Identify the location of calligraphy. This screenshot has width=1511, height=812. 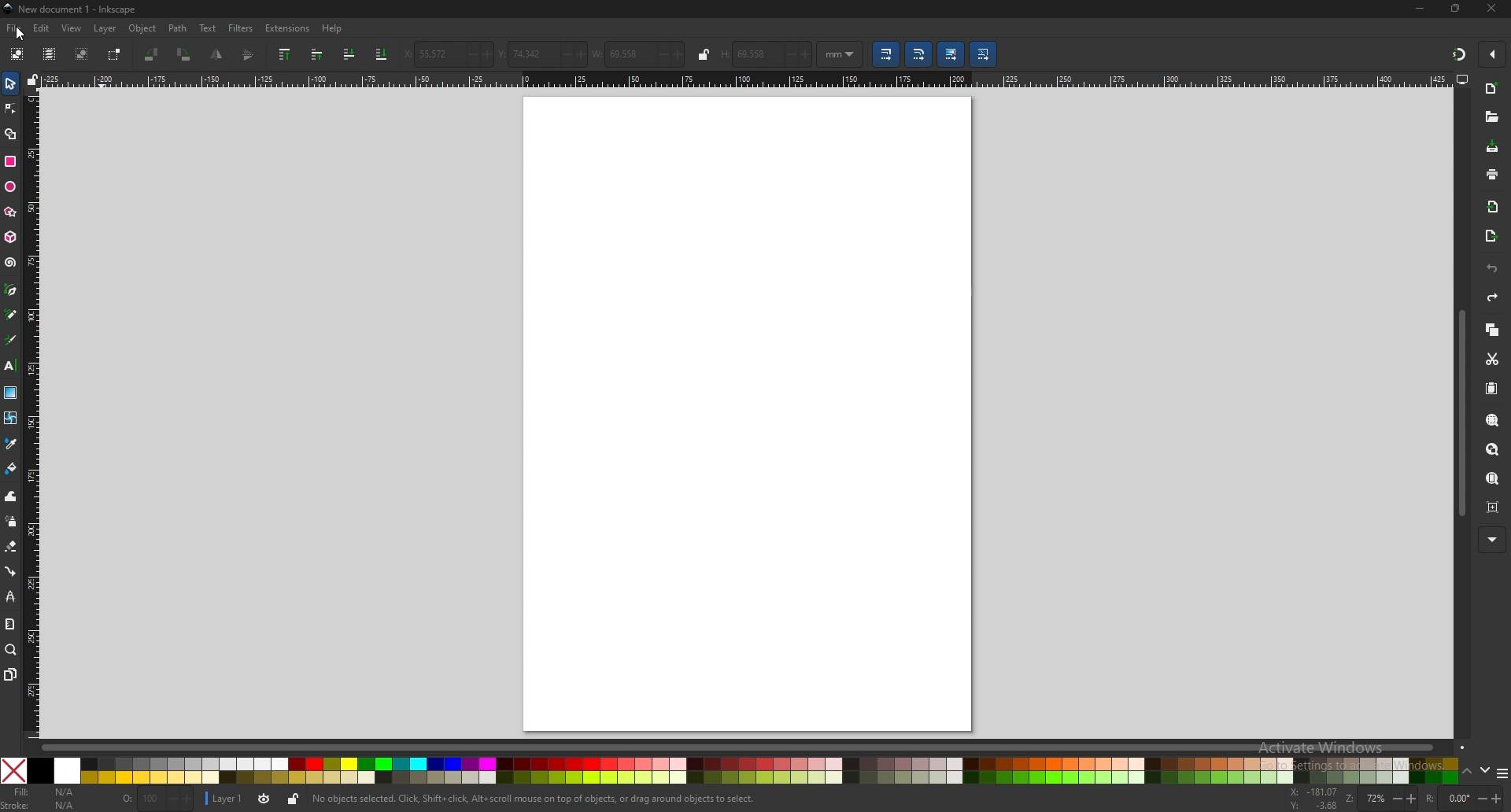
(9, 339).